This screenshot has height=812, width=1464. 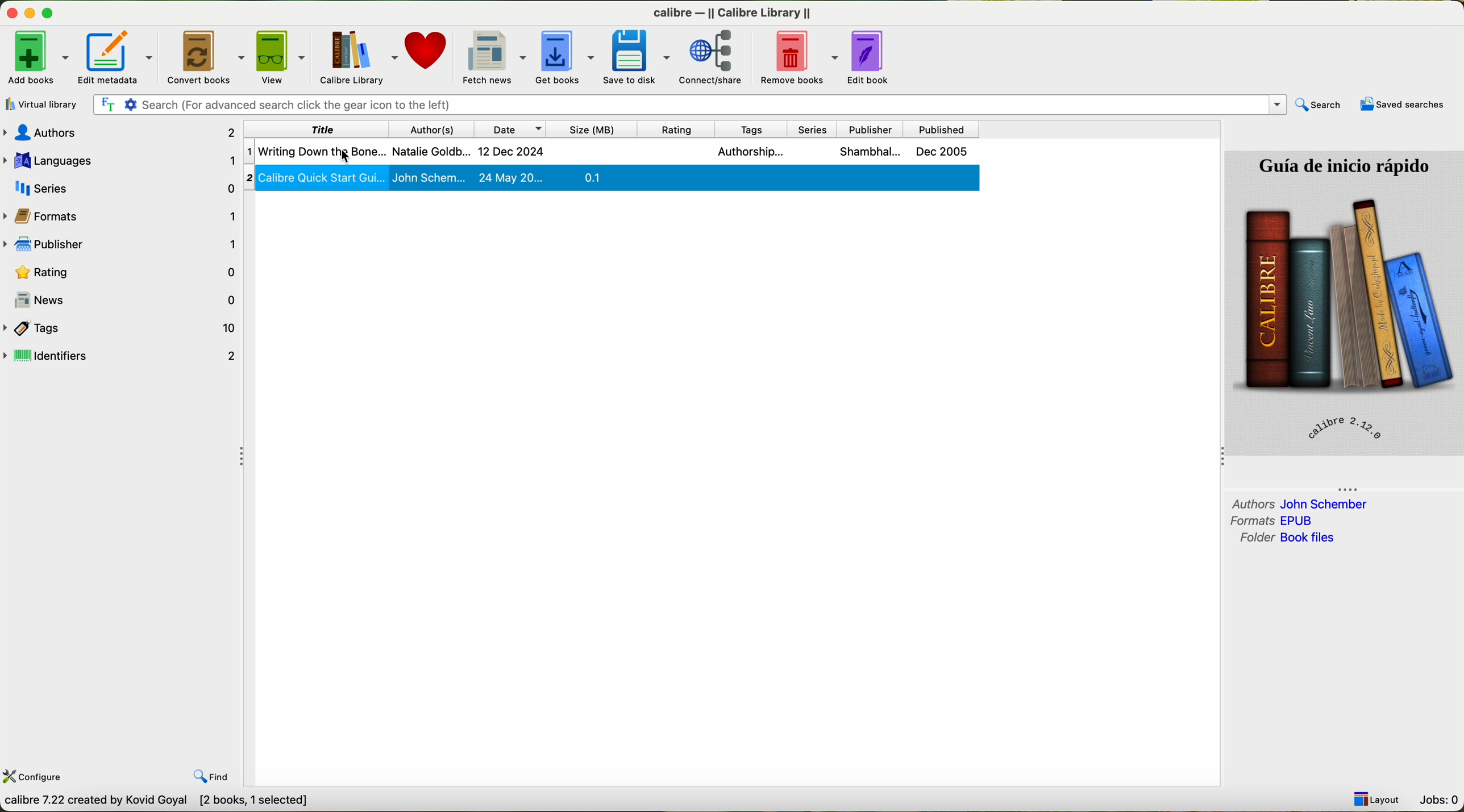 What do you see at coordinates (639, 56) in the screenshot?
I see `save to disk` at bounding box center [639, 56].